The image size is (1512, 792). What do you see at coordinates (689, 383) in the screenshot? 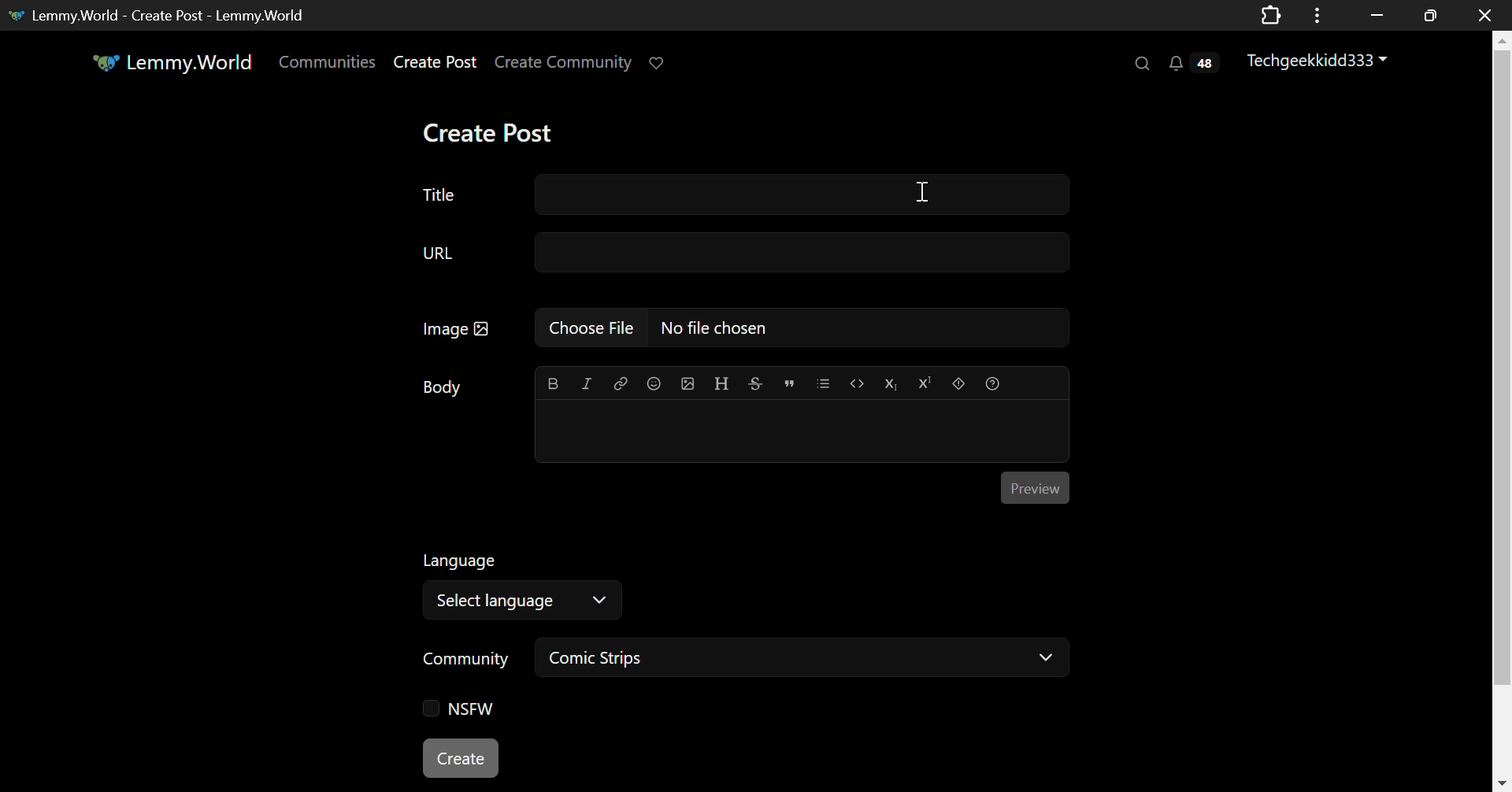
I see `upload image` at bounding box center [689, 383].